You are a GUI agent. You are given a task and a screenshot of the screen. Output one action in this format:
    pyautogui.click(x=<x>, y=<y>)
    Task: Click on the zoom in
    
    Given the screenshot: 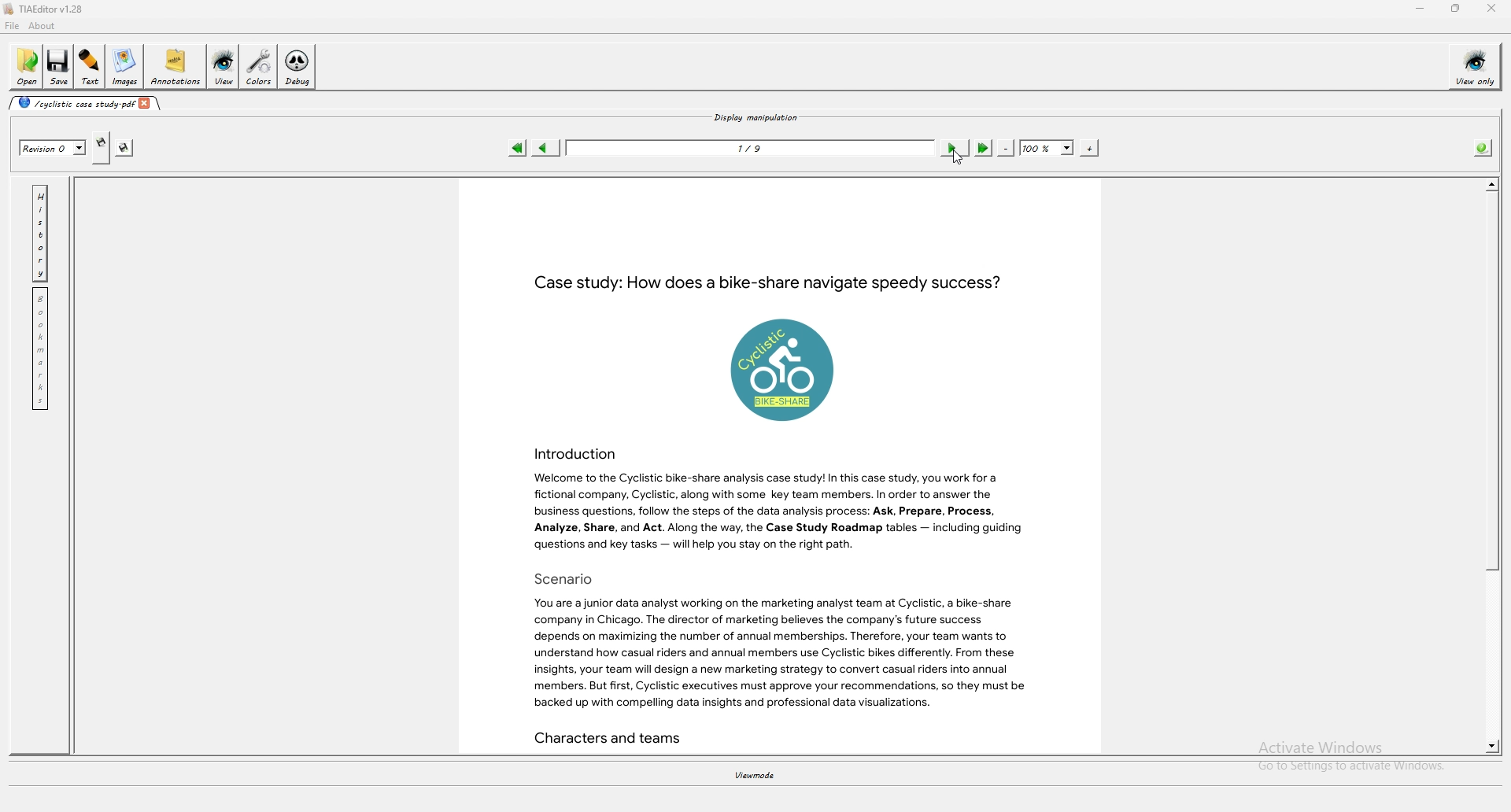 What is the action you would take?
    pyautogui.click(x=1089, y=148)
    